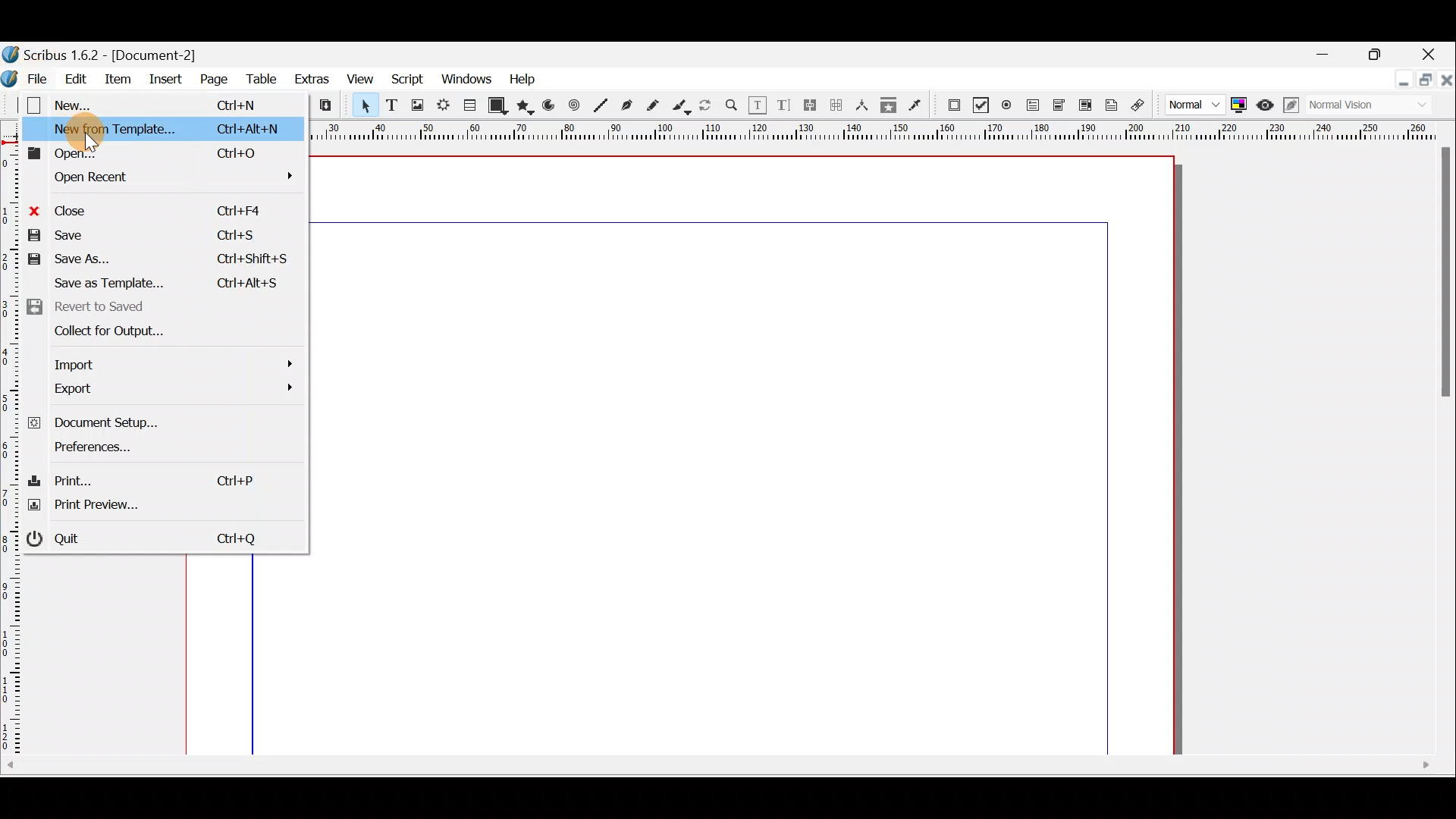 The height and width of the screenshot is (819, 1456). I want to click on Edit in preview mode, so click(1289, 107).